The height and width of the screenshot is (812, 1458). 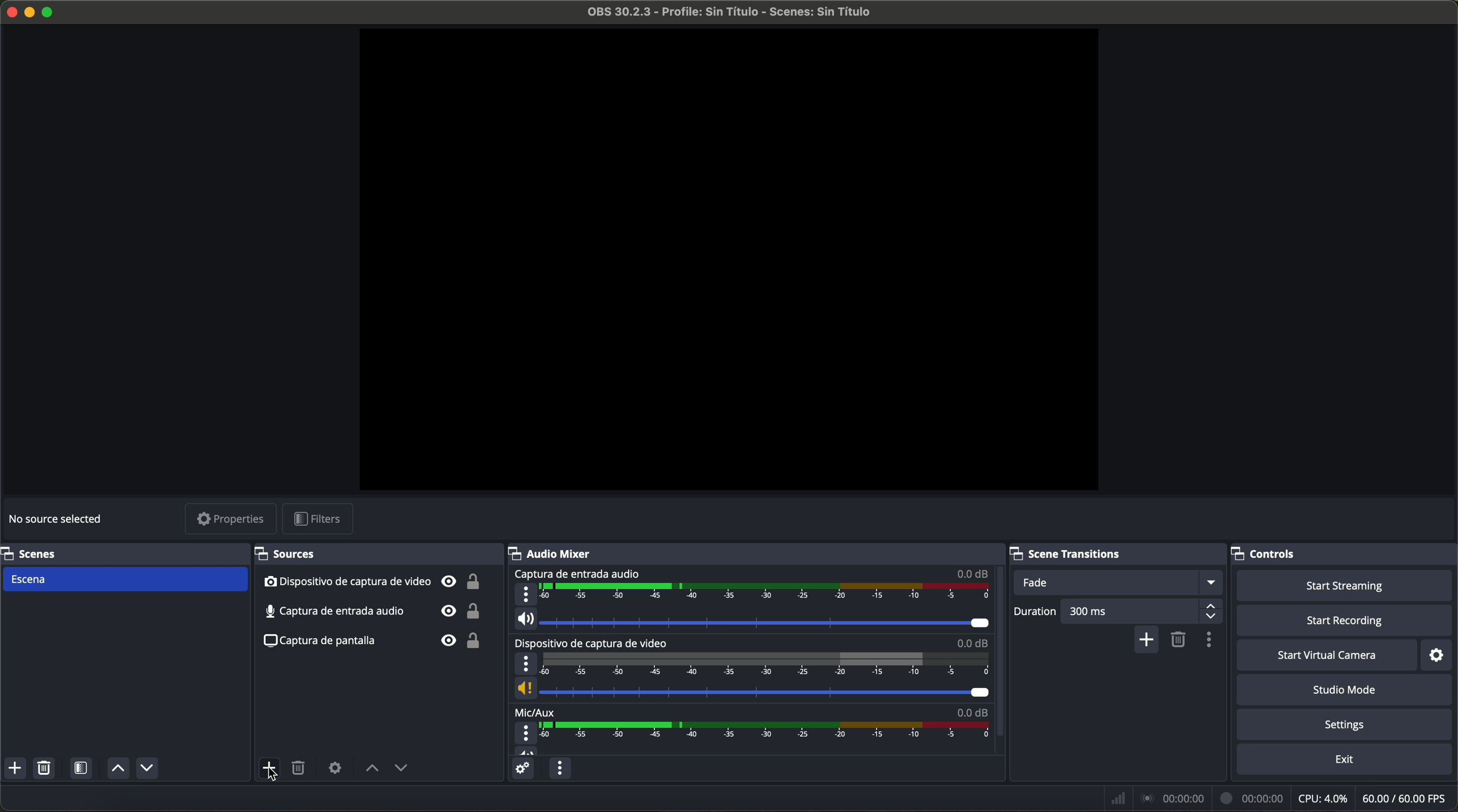 I want to click on 0.0 dB, so click(x=973, y=643).